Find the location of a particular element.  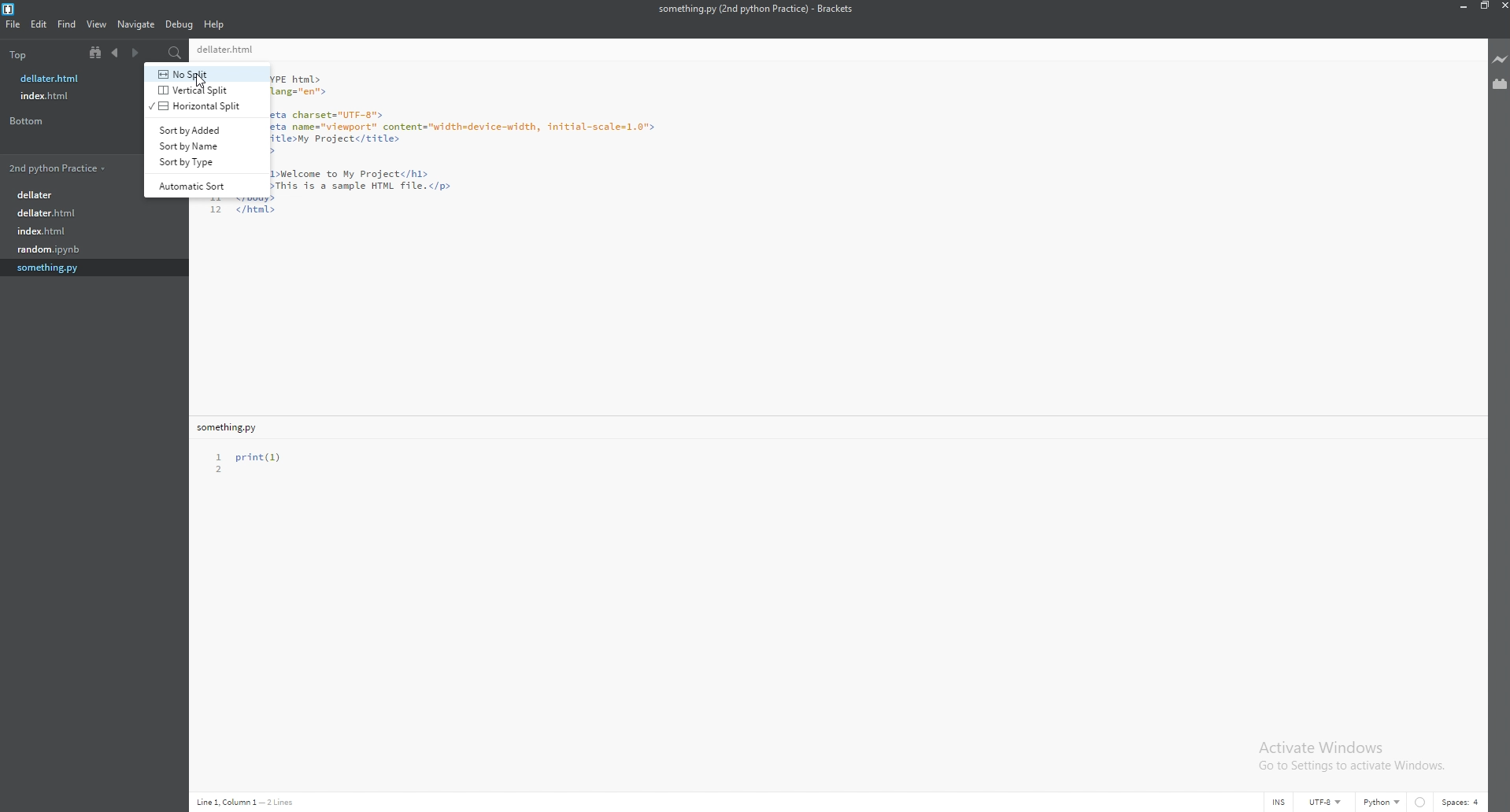

spaces is located at coordinates (1463, 802).